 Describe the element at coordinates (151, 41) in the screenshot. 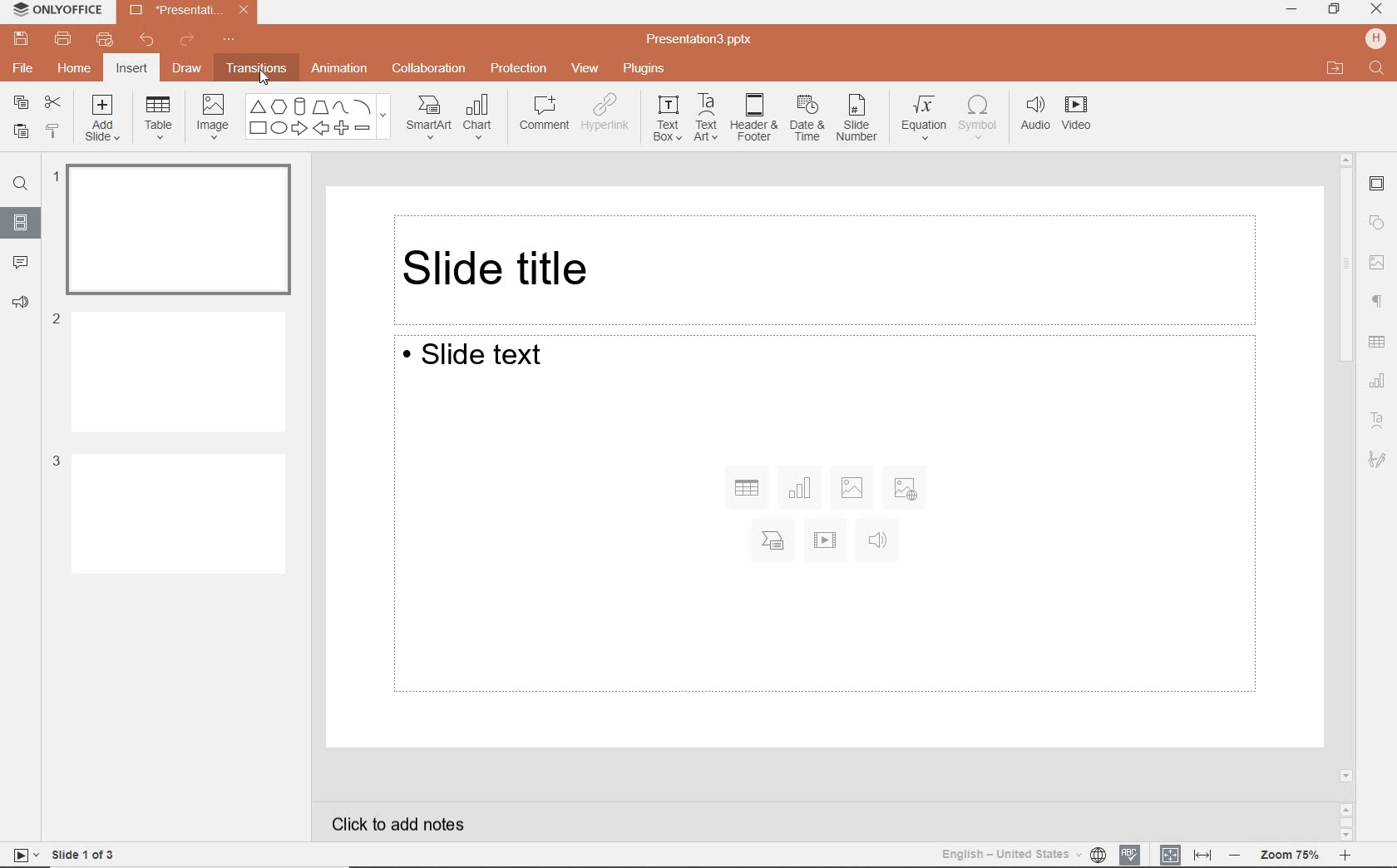

I see `undo` at that location.